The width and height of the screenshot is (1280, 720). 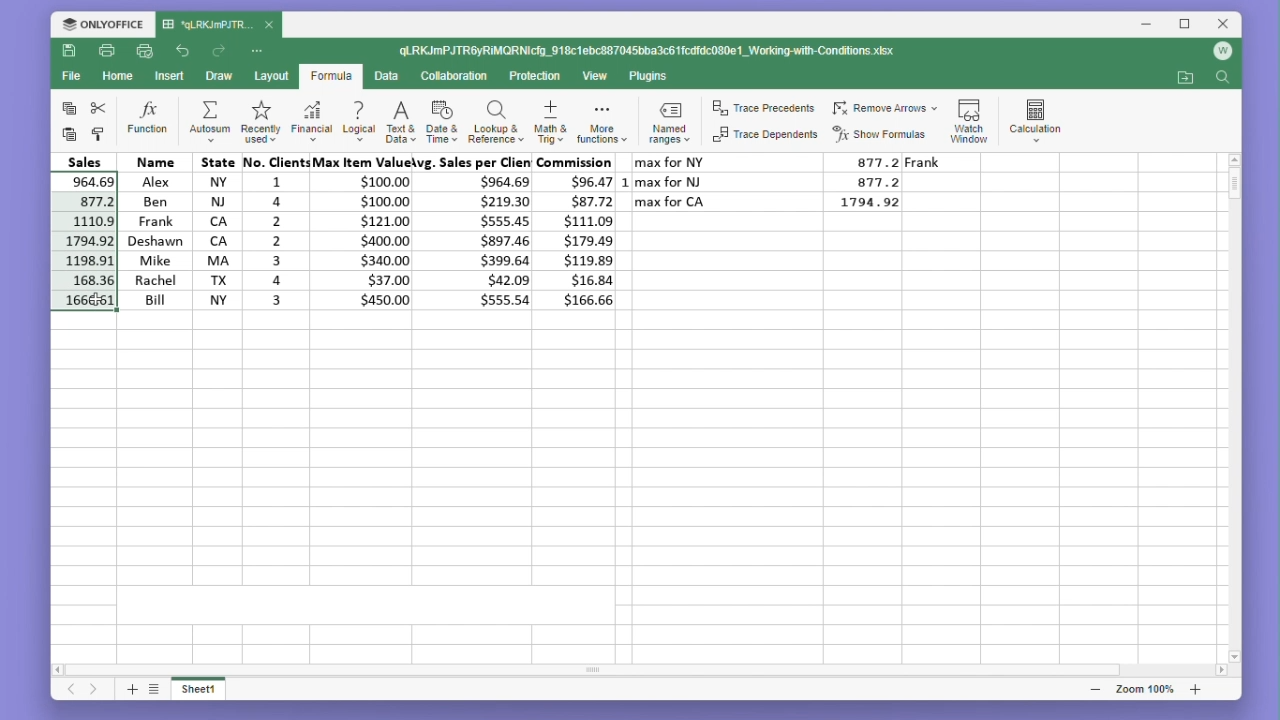 What do you see at coordinates (312, 120) in the screenshot?
I see `Financial` at bounding box center [312, 120].